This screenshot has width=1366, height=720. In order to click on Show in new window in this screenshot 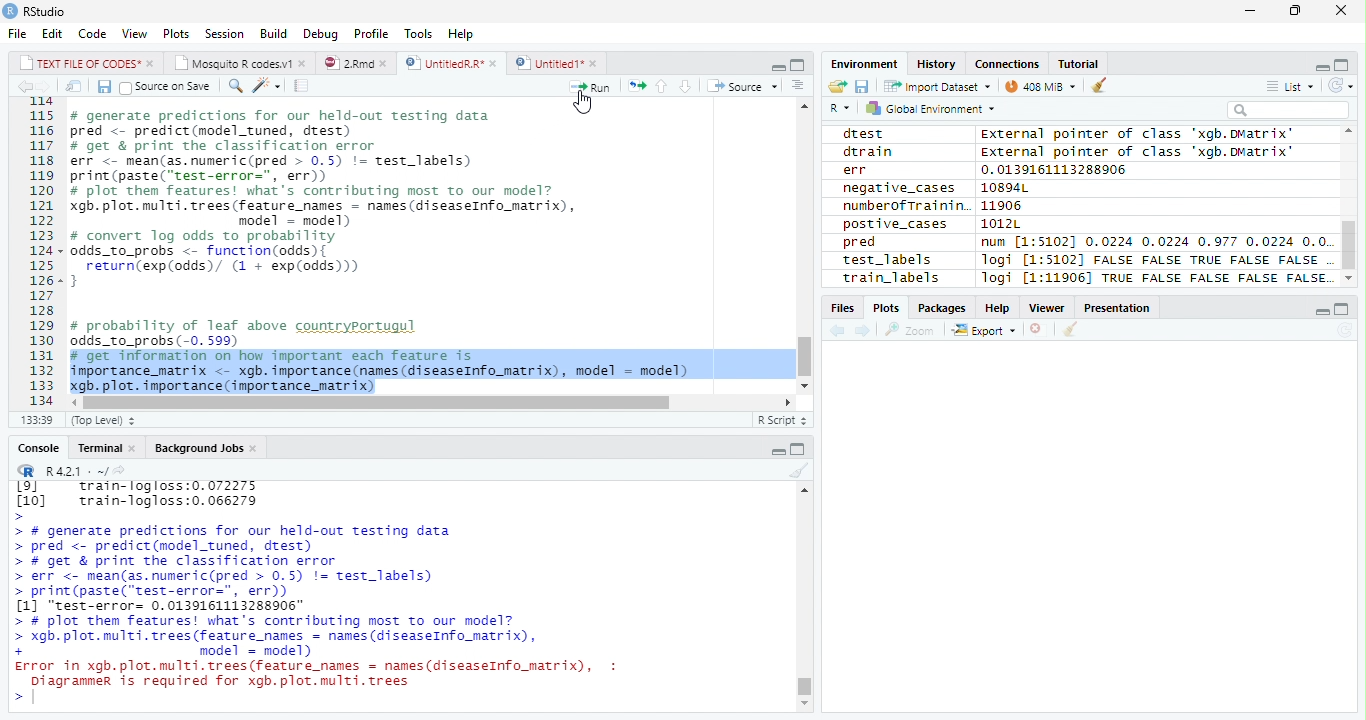, I will do `click(70, 86)`.